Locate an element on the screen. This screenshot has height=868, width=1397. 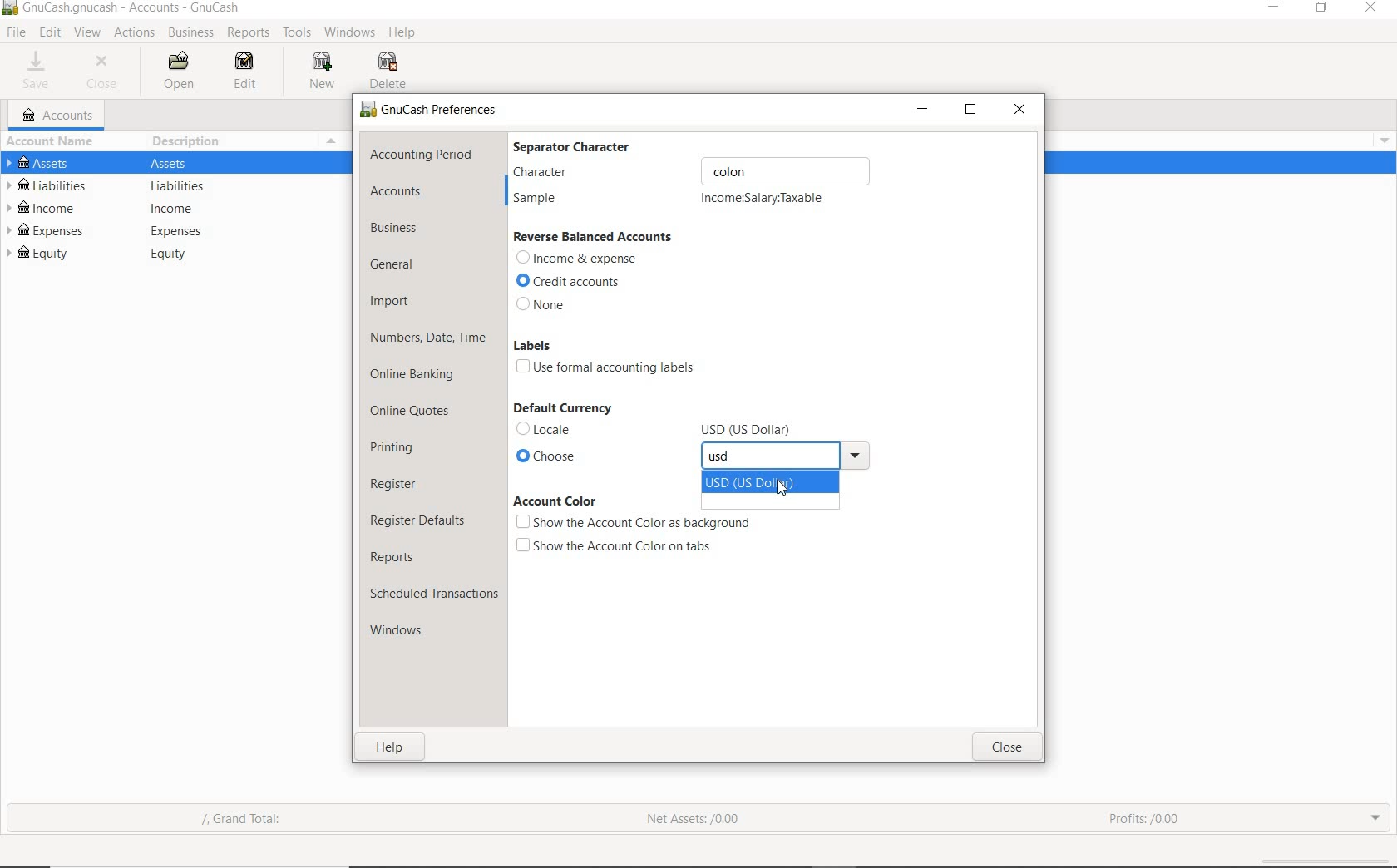
LIABILITIES is located at coordinates (50, 184).